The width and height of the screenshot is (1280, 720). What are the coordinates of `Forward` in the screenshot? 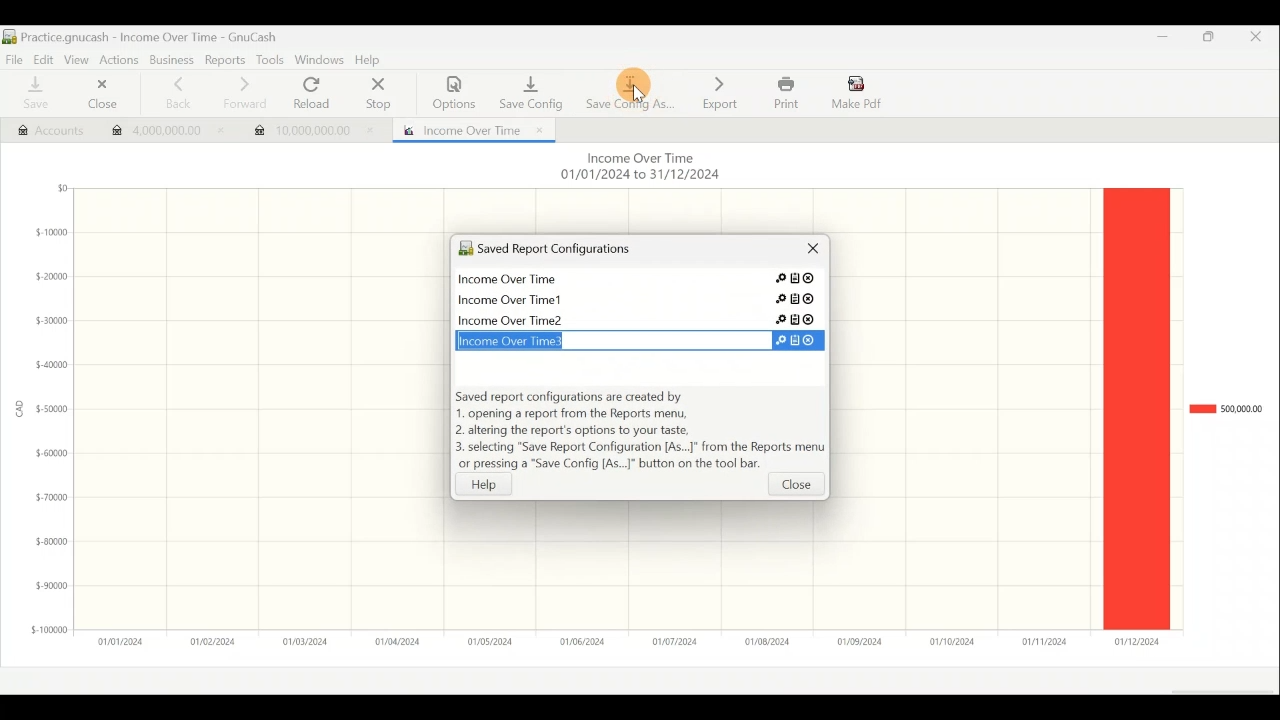 It's located at (243, 93).